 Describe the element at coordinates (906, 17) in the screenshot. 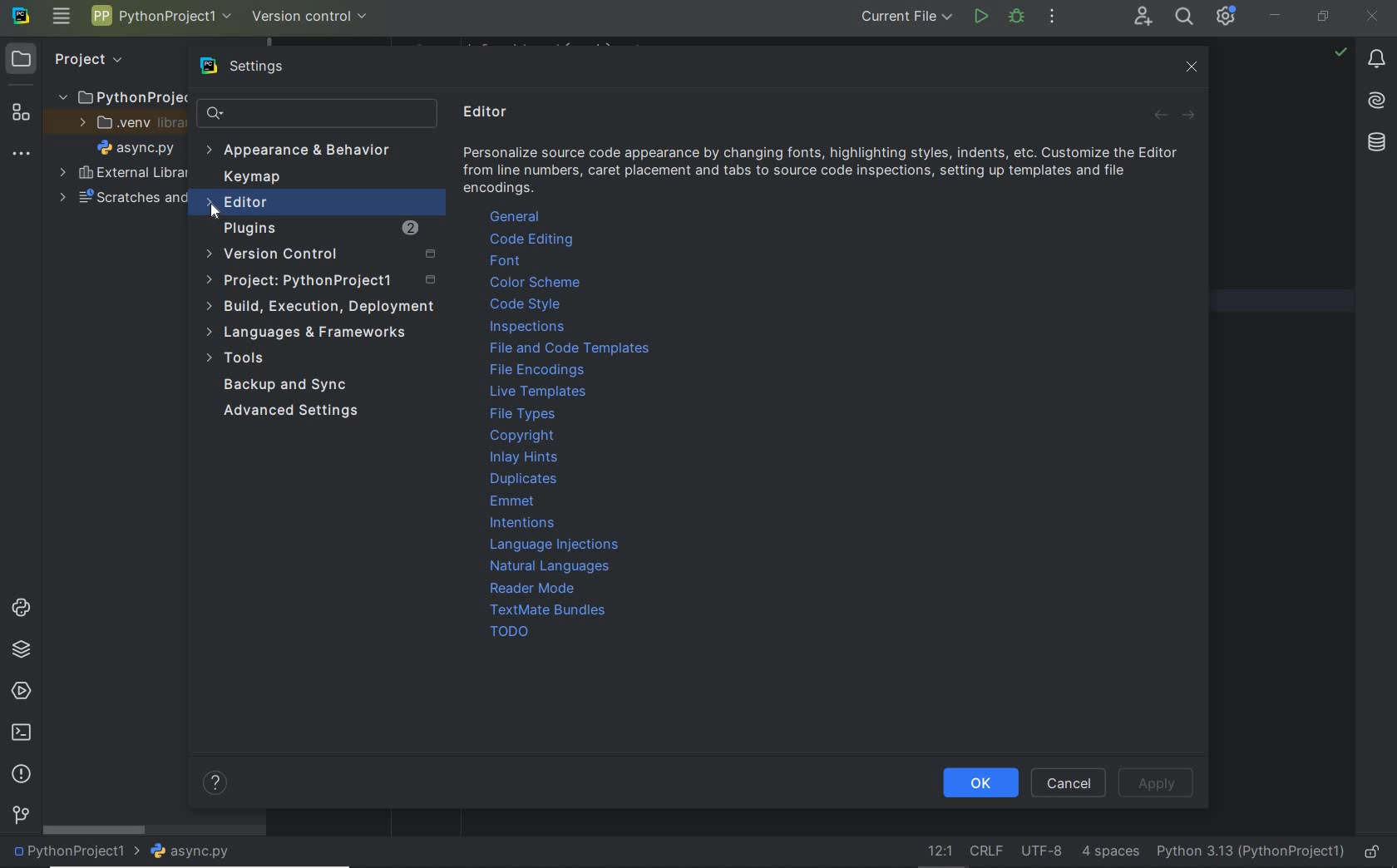

I see `current file` at that location.